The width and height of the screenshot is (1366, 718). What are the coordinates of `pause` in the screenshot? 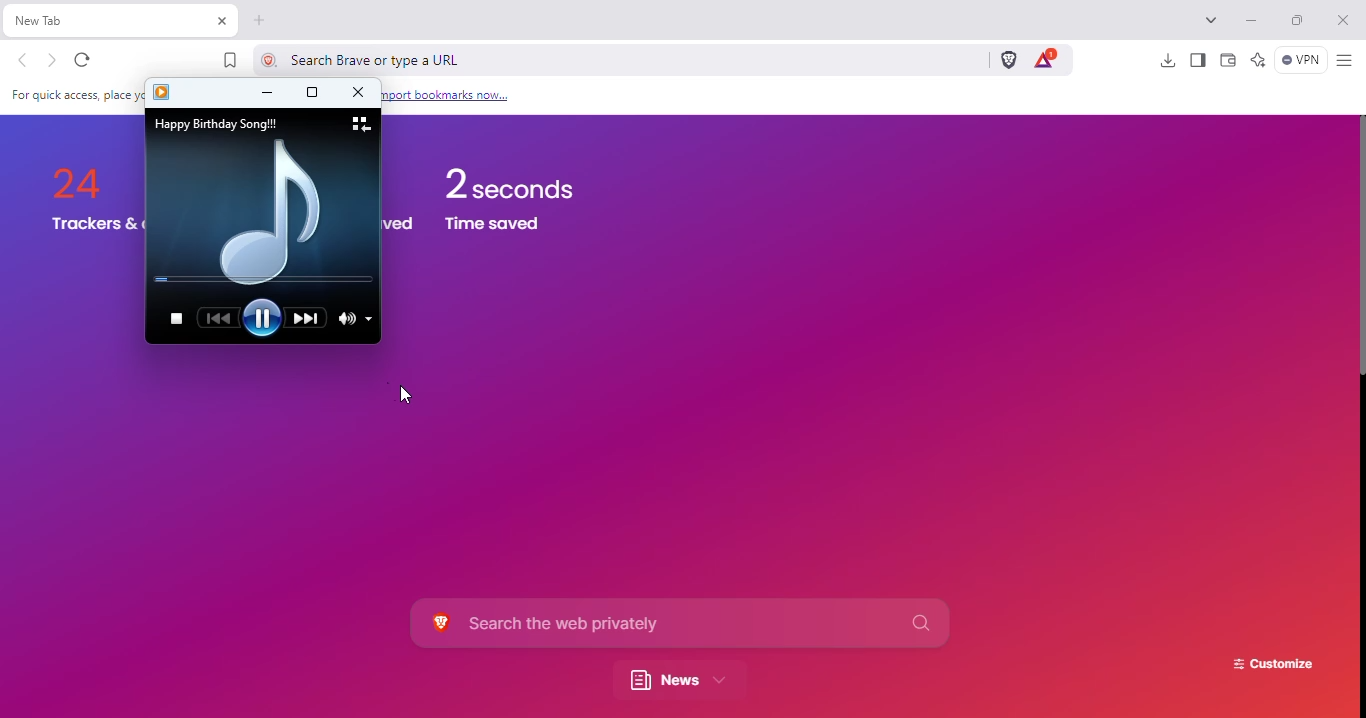 It's located at (263, 318).